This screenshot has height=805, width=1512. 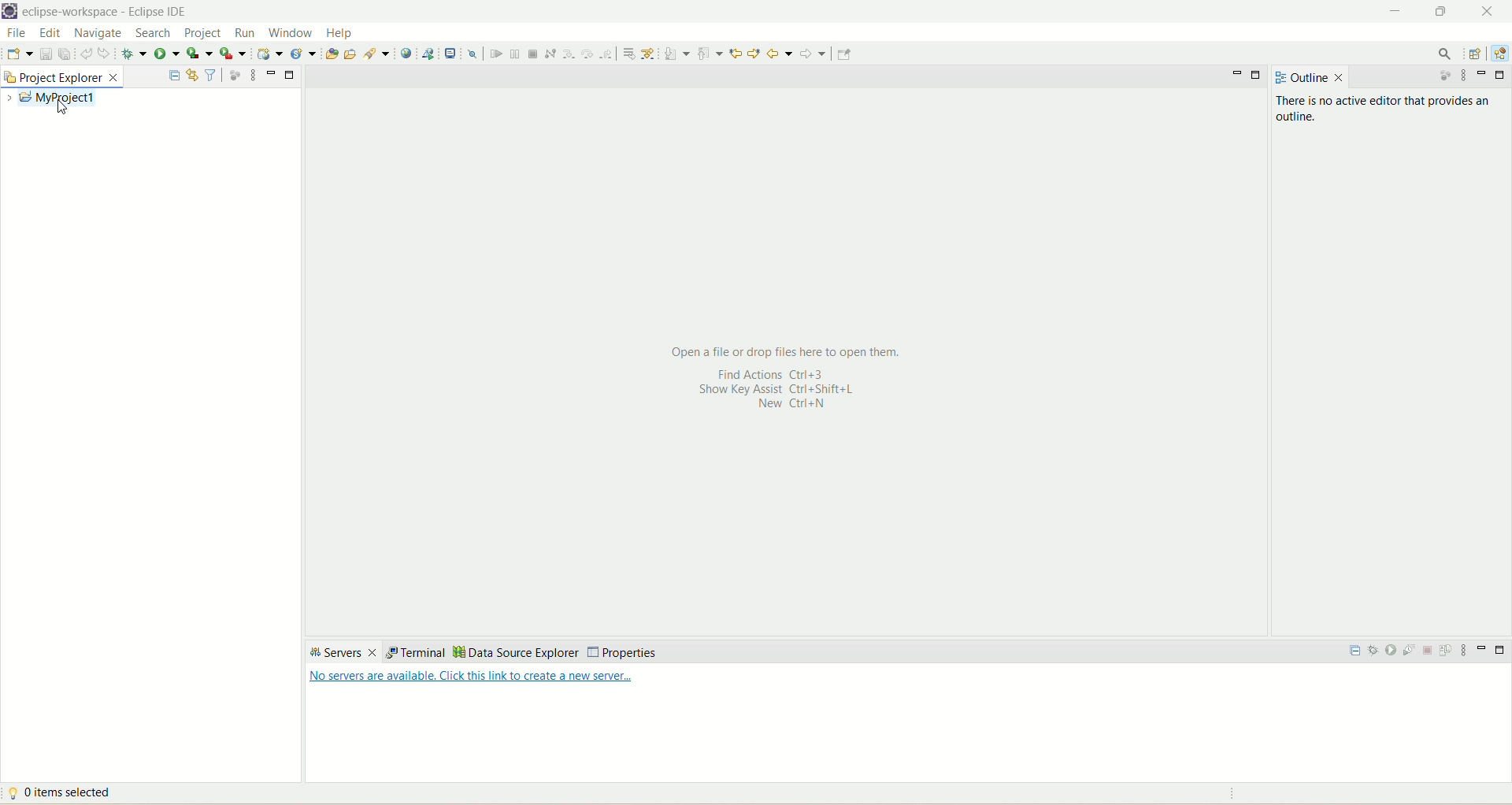 I want to click on open a file or drop files here to open them, so click(x=785, y=351).